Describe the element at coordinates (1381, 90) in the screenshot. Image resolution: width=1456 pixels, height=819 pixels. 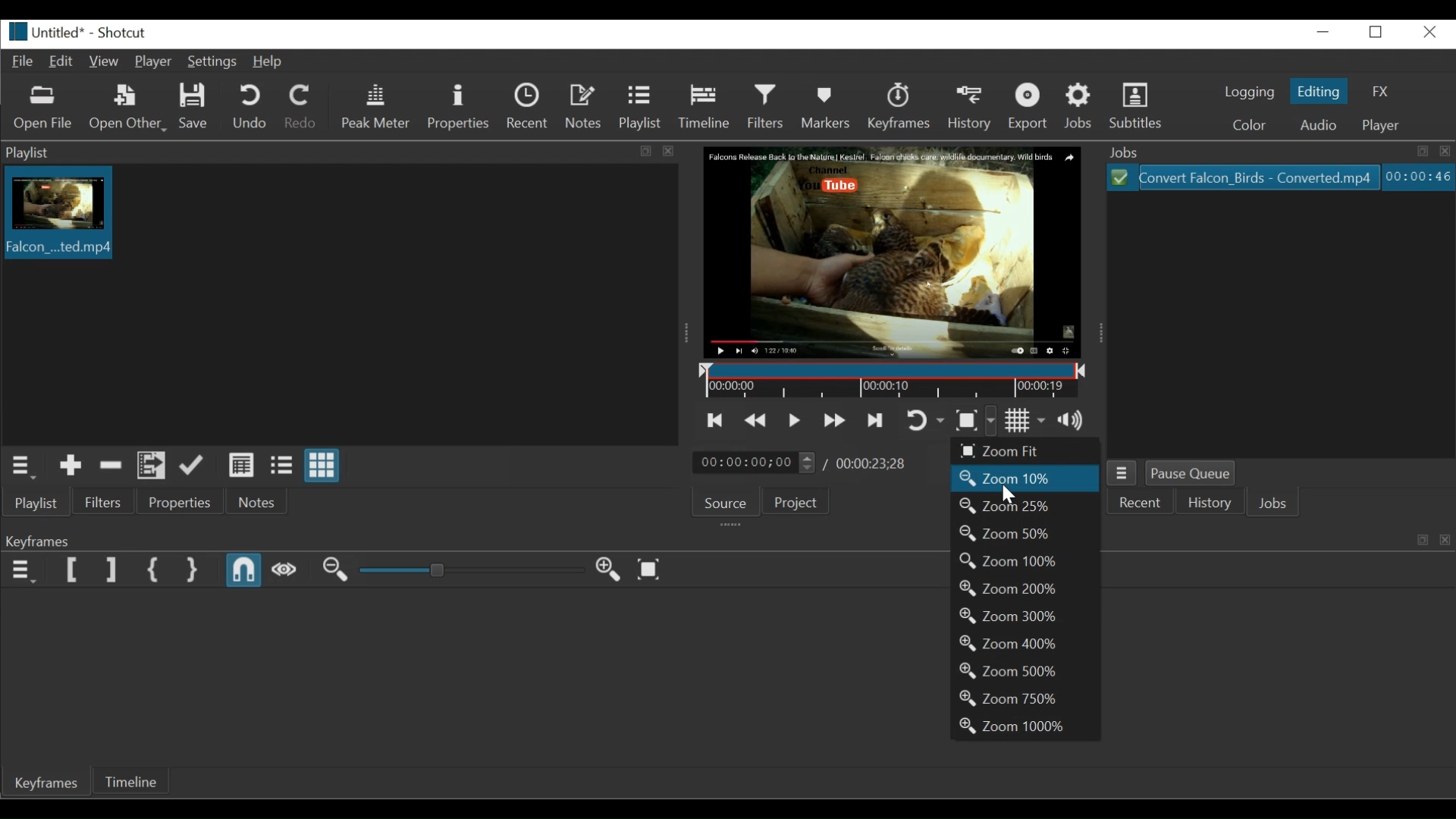
I see `FZ` at that location.